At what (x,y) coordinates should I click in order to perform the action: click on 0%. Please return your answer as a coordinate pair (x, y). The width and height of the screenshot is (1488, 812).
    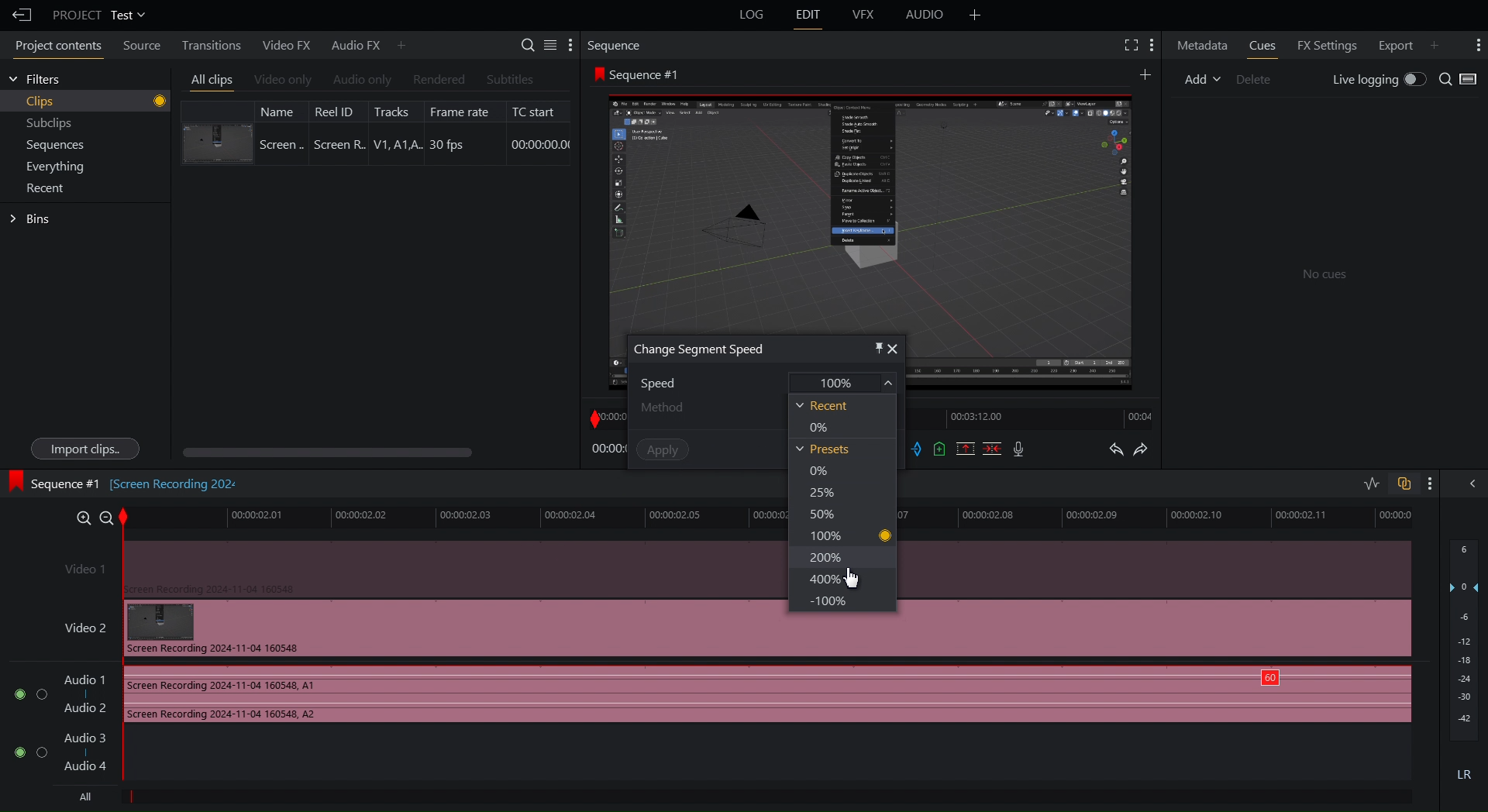
    Looking at the image, I should click on (818, 426).